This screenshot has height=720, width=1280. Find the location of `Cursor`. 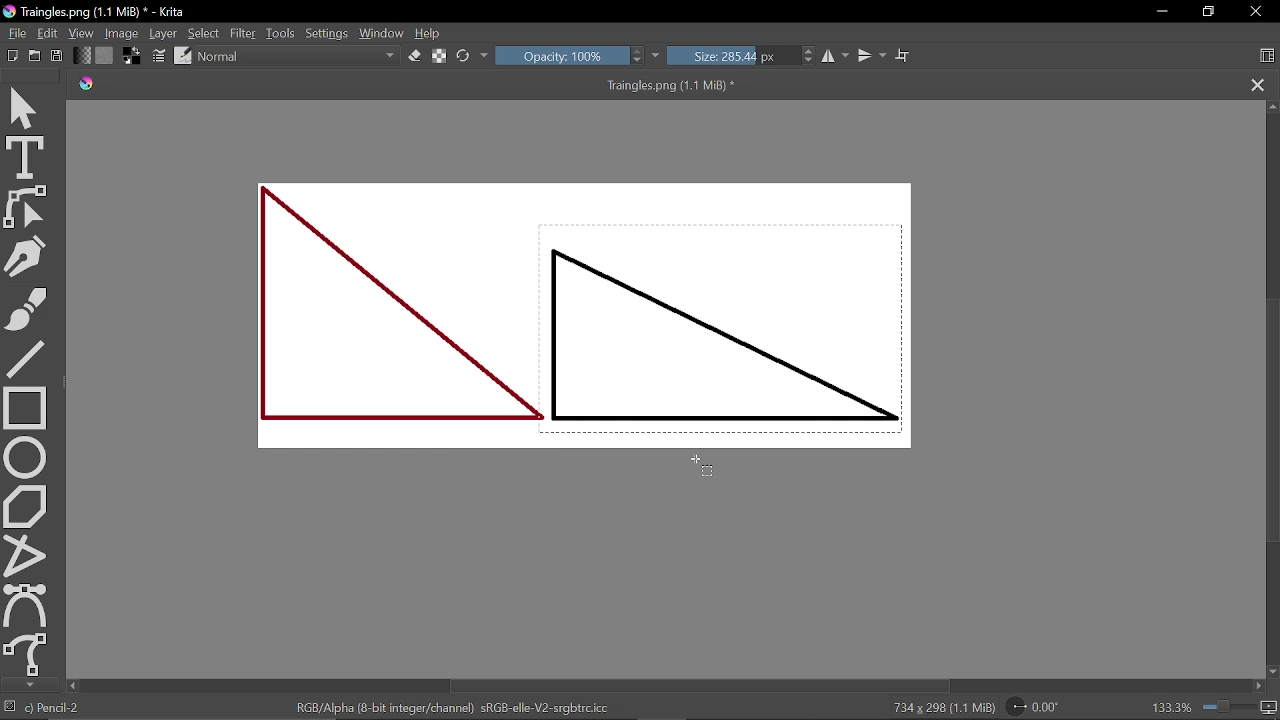

Cursor is located at coordinates (713, 472).